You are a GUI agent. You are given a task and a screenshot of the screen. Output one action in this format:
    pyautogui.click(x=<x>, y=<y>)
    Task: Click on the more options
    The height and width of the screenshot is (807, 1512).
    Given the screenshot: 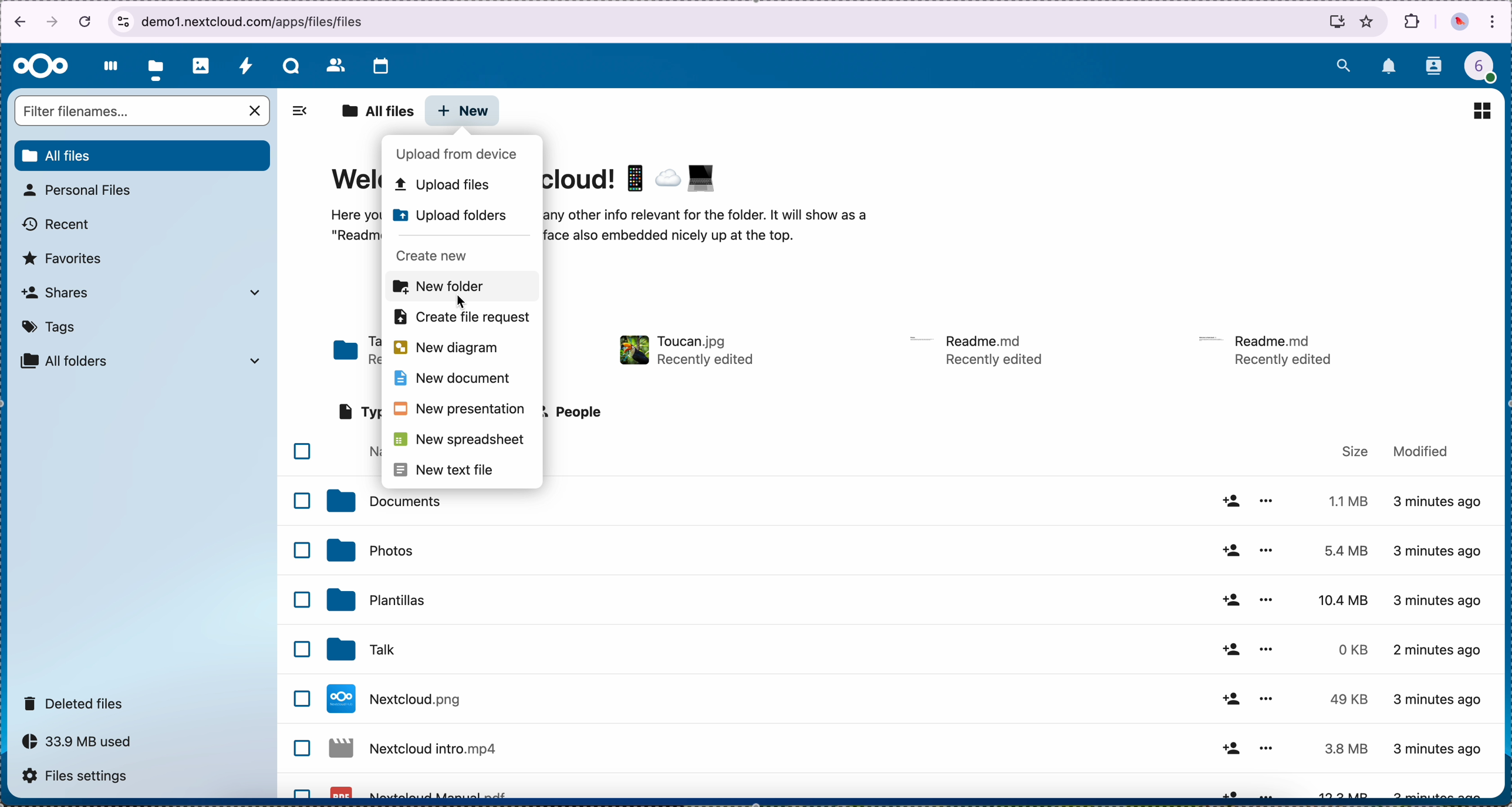 What is the action you would take?
    pyautogui.click(x=1271, y=792)
    